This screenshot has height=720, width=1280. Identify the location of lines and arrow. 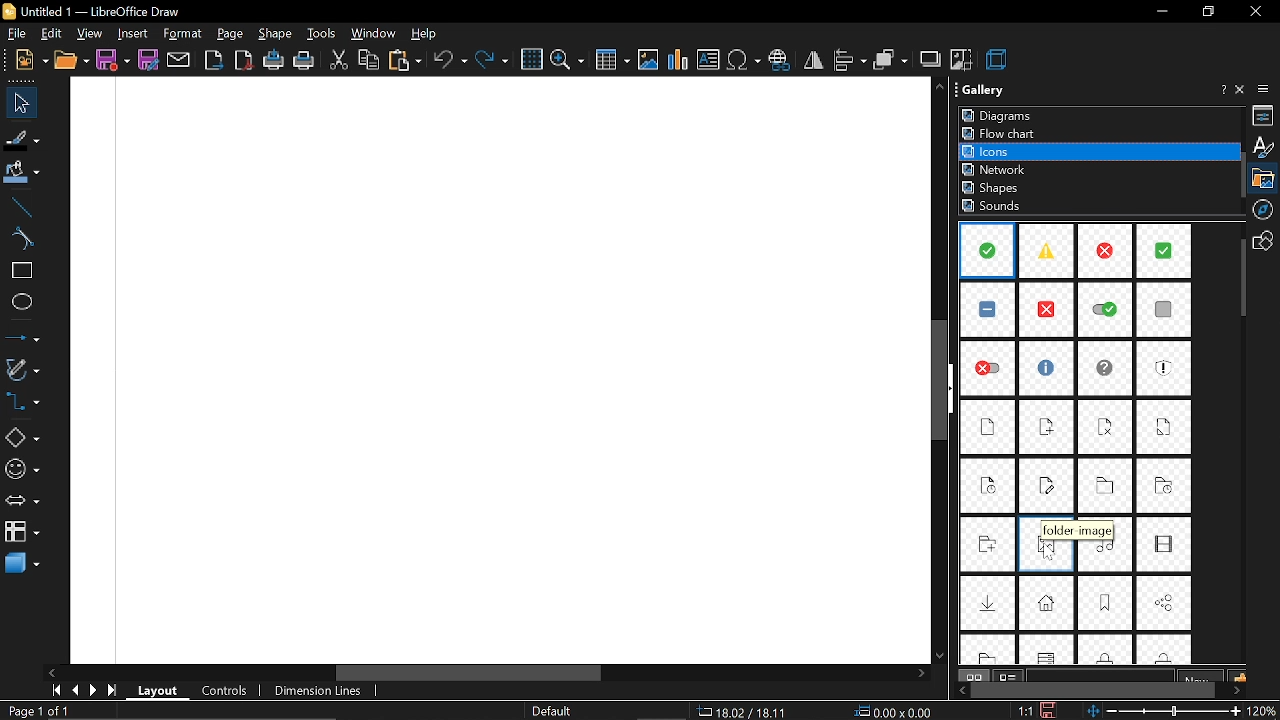
(20, 339).